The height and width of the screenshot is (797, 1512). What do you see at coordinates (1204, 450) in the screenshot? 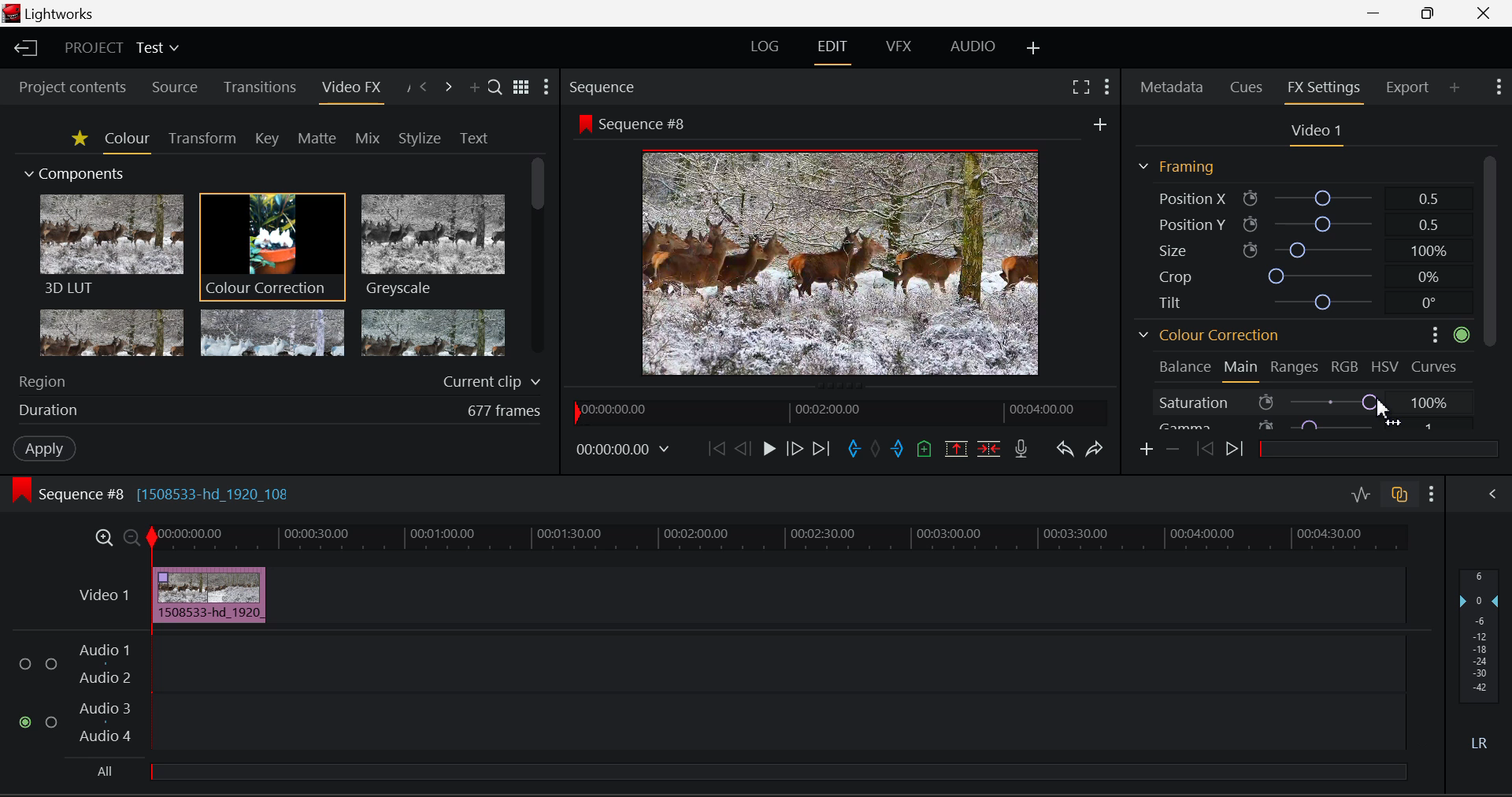
I see `Previous keyframe` at bounding box center [1204, 450].